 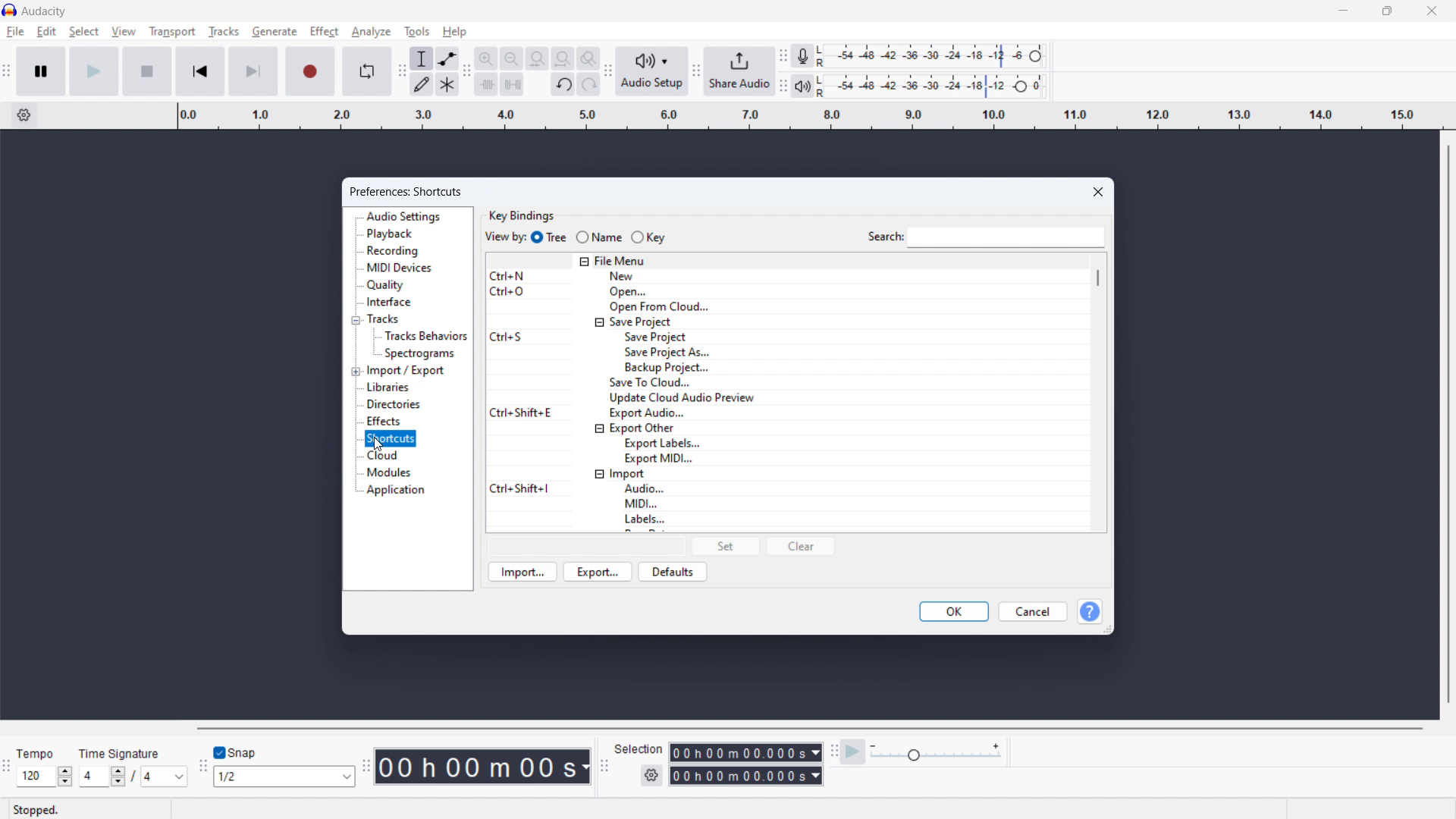 What do you see at coordinates (512, 84) in the screenshot?
I see `silence audio selection` at bounding box center [512, 84].